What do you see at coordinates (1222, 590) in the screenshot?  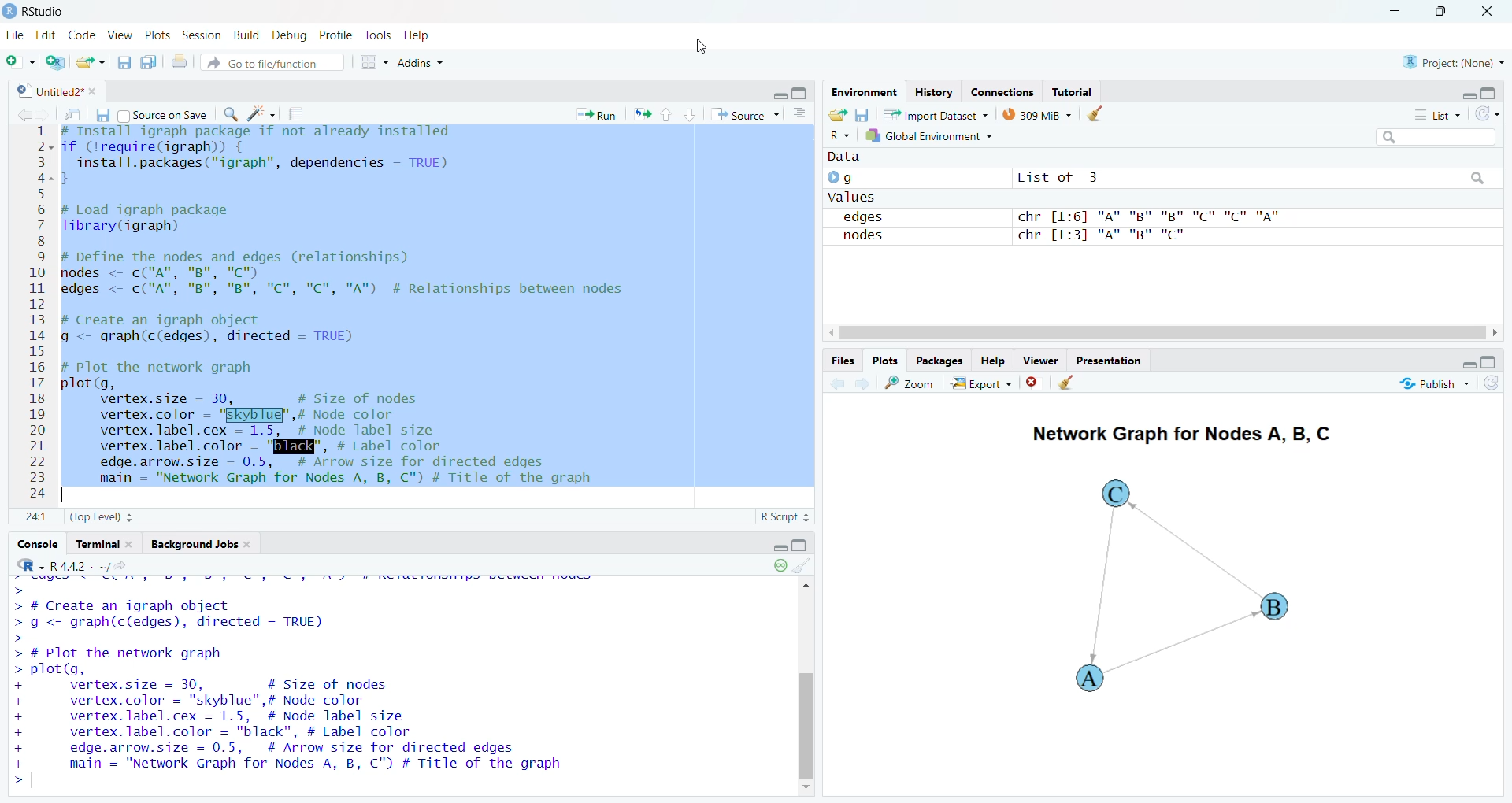 I see `graph` at bounding box center [1222, 590].